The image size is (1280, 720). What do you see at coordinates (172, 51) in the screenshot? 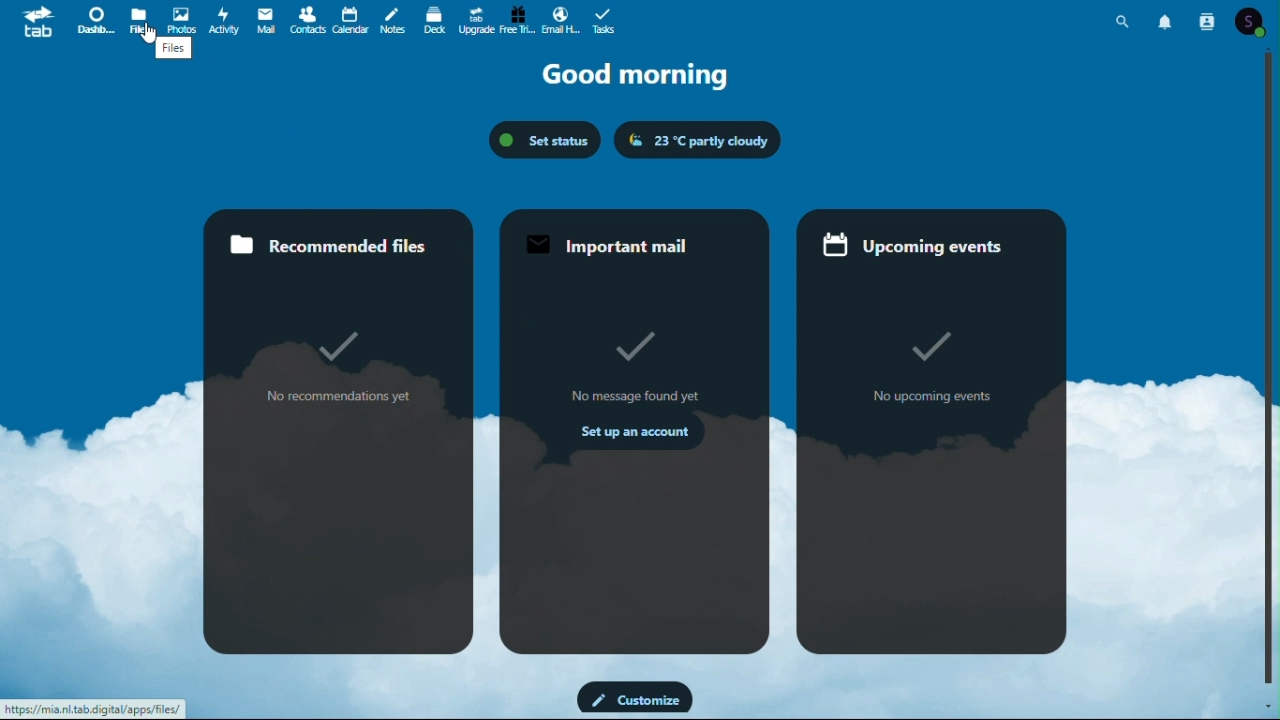
I see `files` at bounding box center [172, 51].